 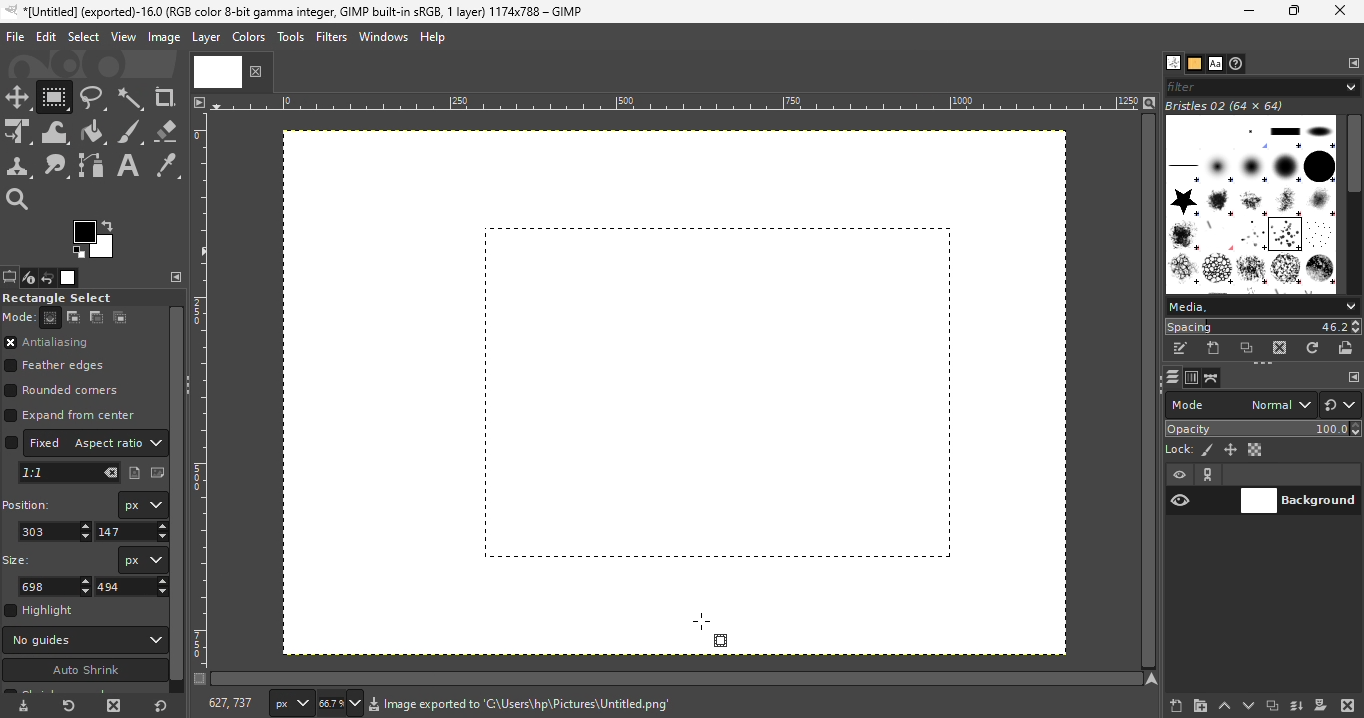 I want to click on Close, so click(x=1341, y=11).